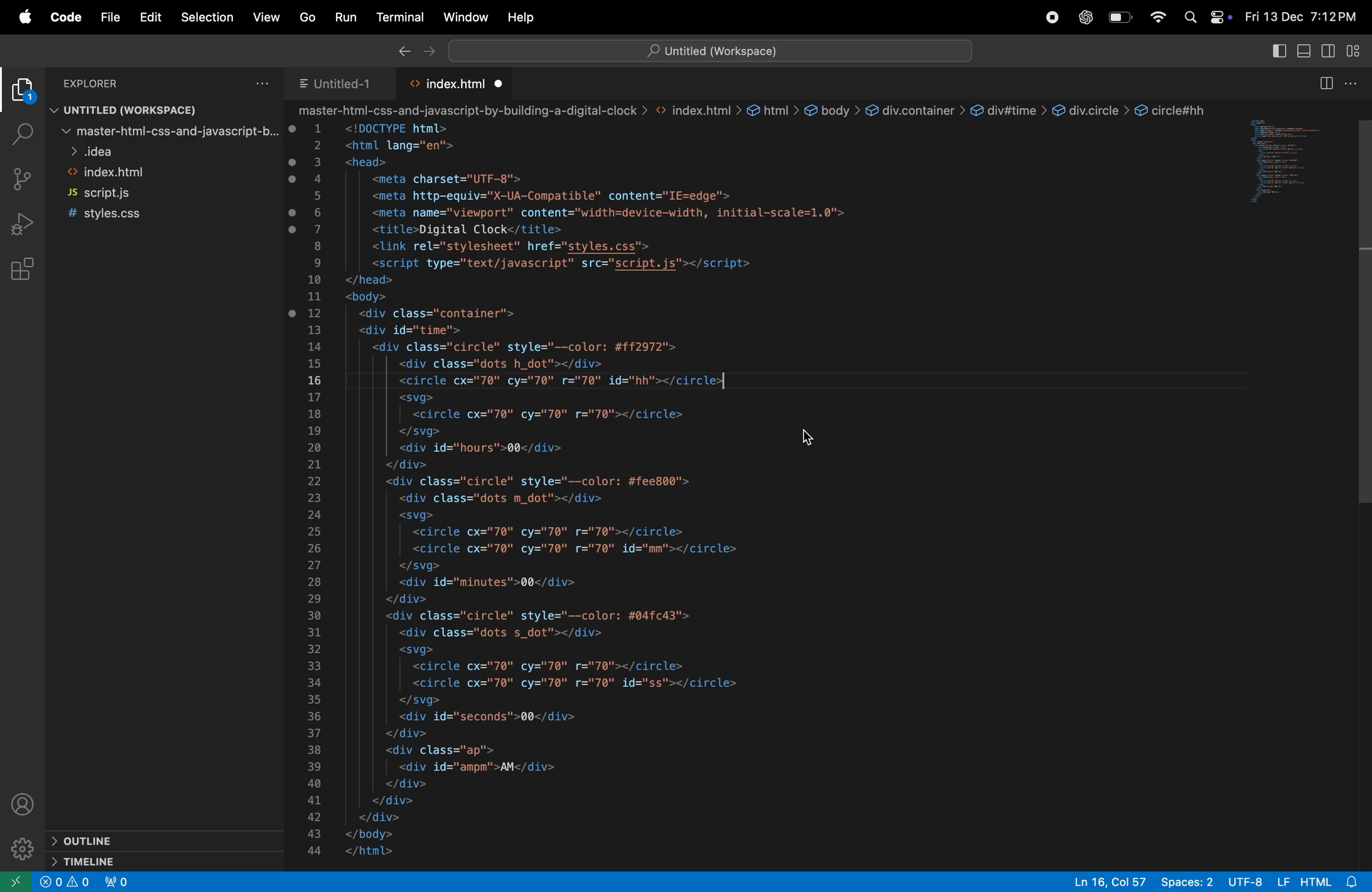  What do you see at coordinates (122, 862) in the screenshot?
I see `timeline` at bounding box center [122, 862].